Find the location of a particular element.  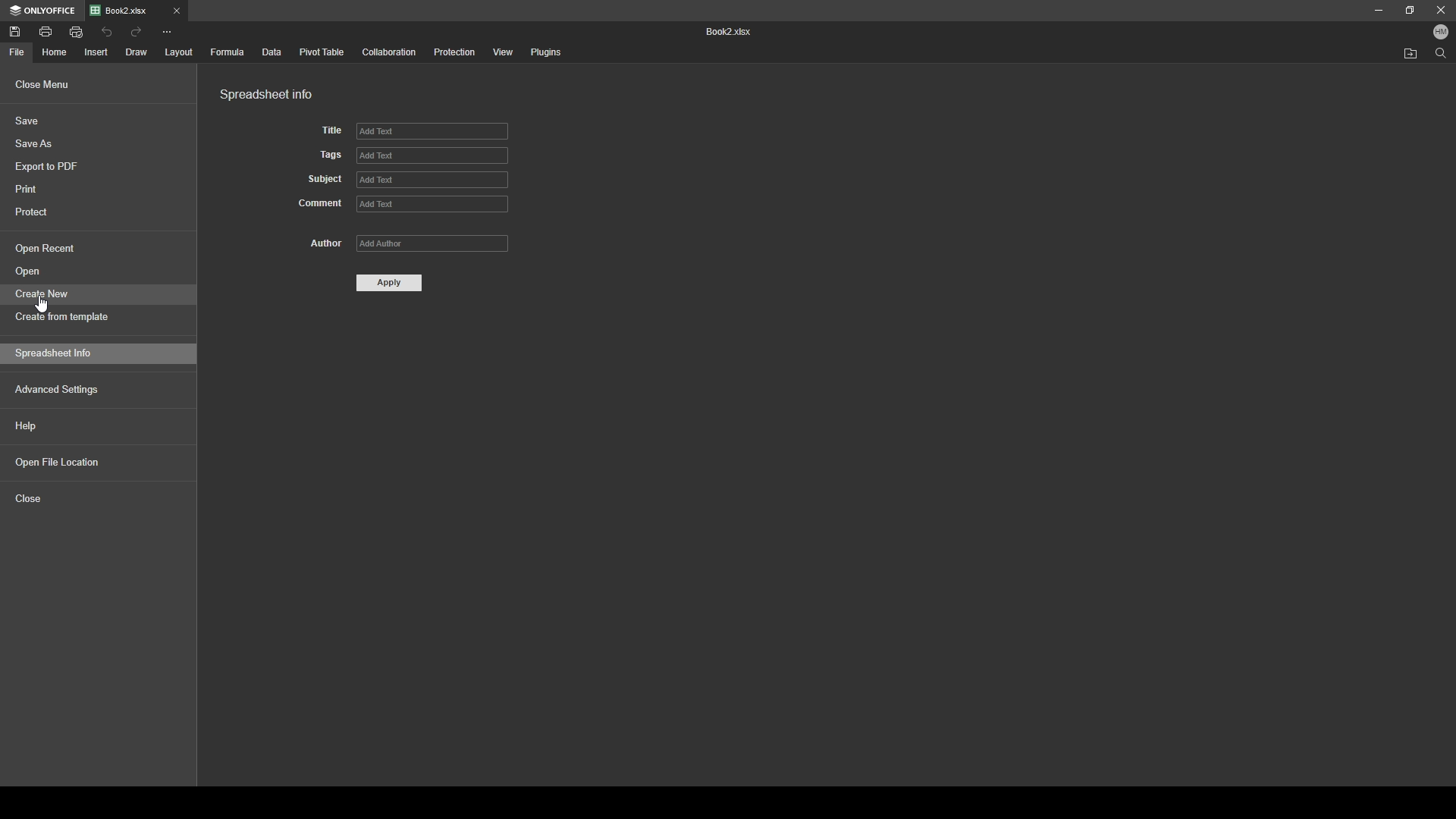

scrollbar is located at coordinates (45, 306).